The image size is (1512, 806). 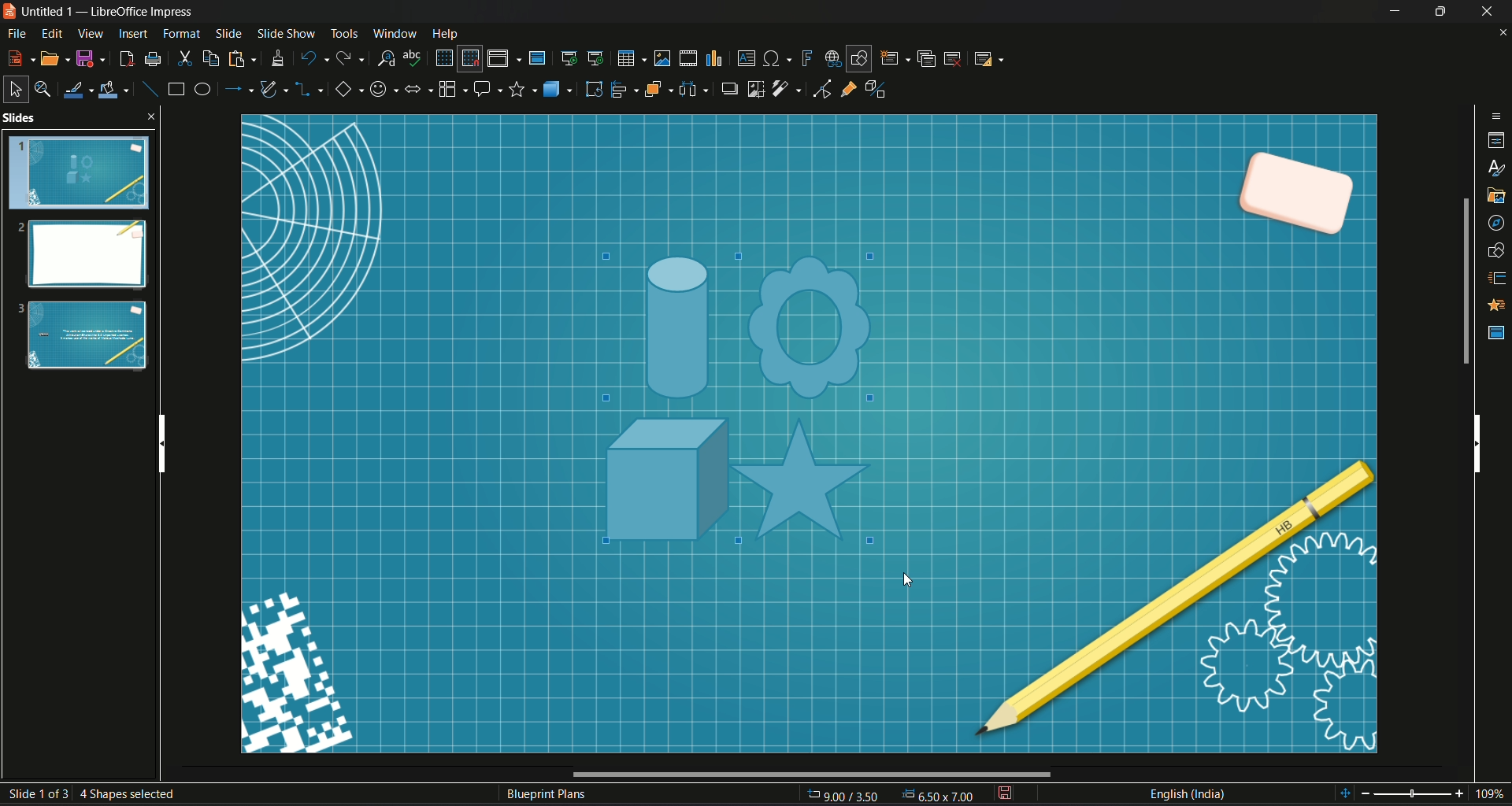 I want to click on Scroll bar, so click(x=1464, y=281).